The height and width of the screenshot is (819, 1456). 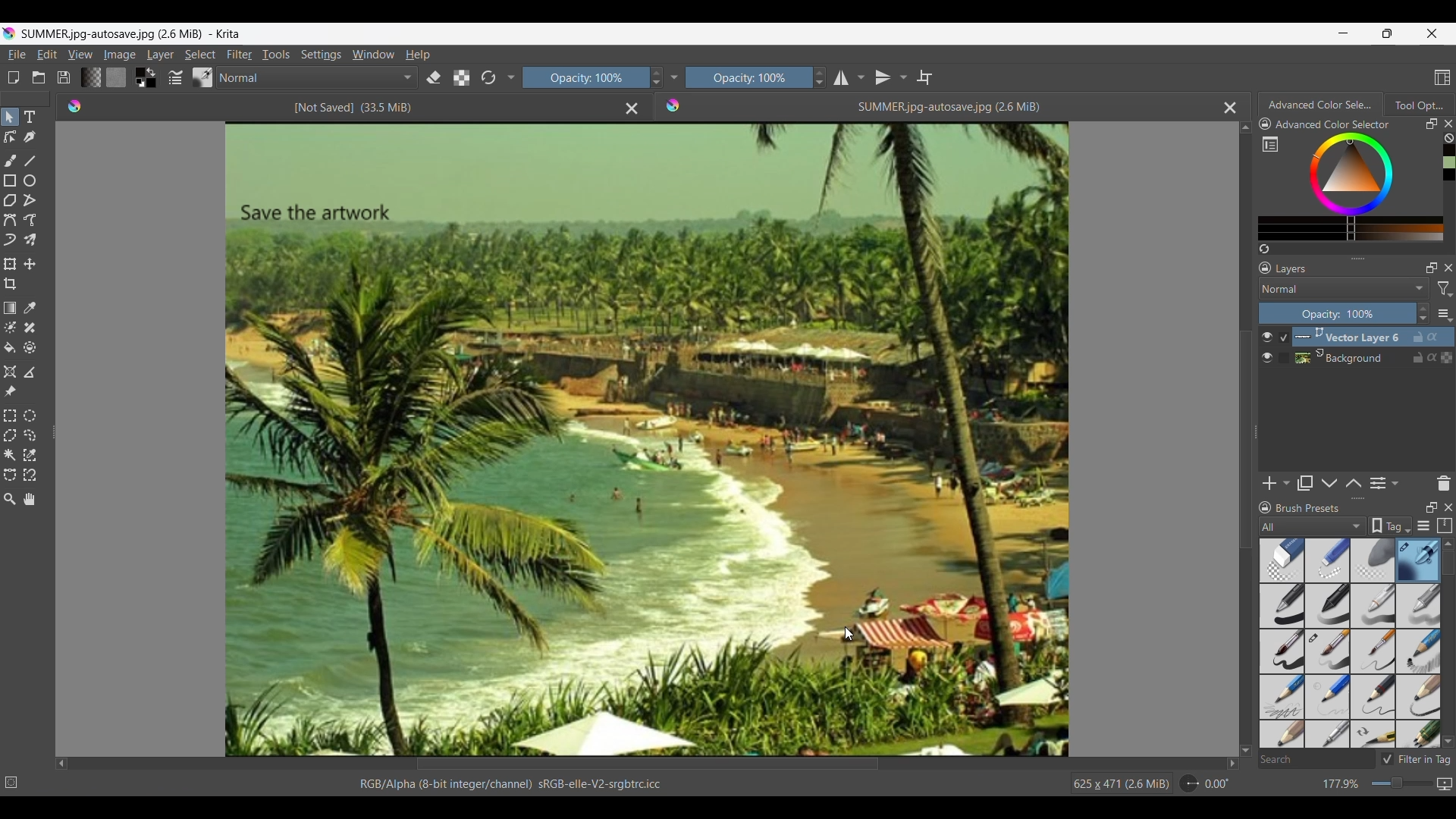 I want to click on Horizontal mirror tool and options, so click(x=849, y=77).